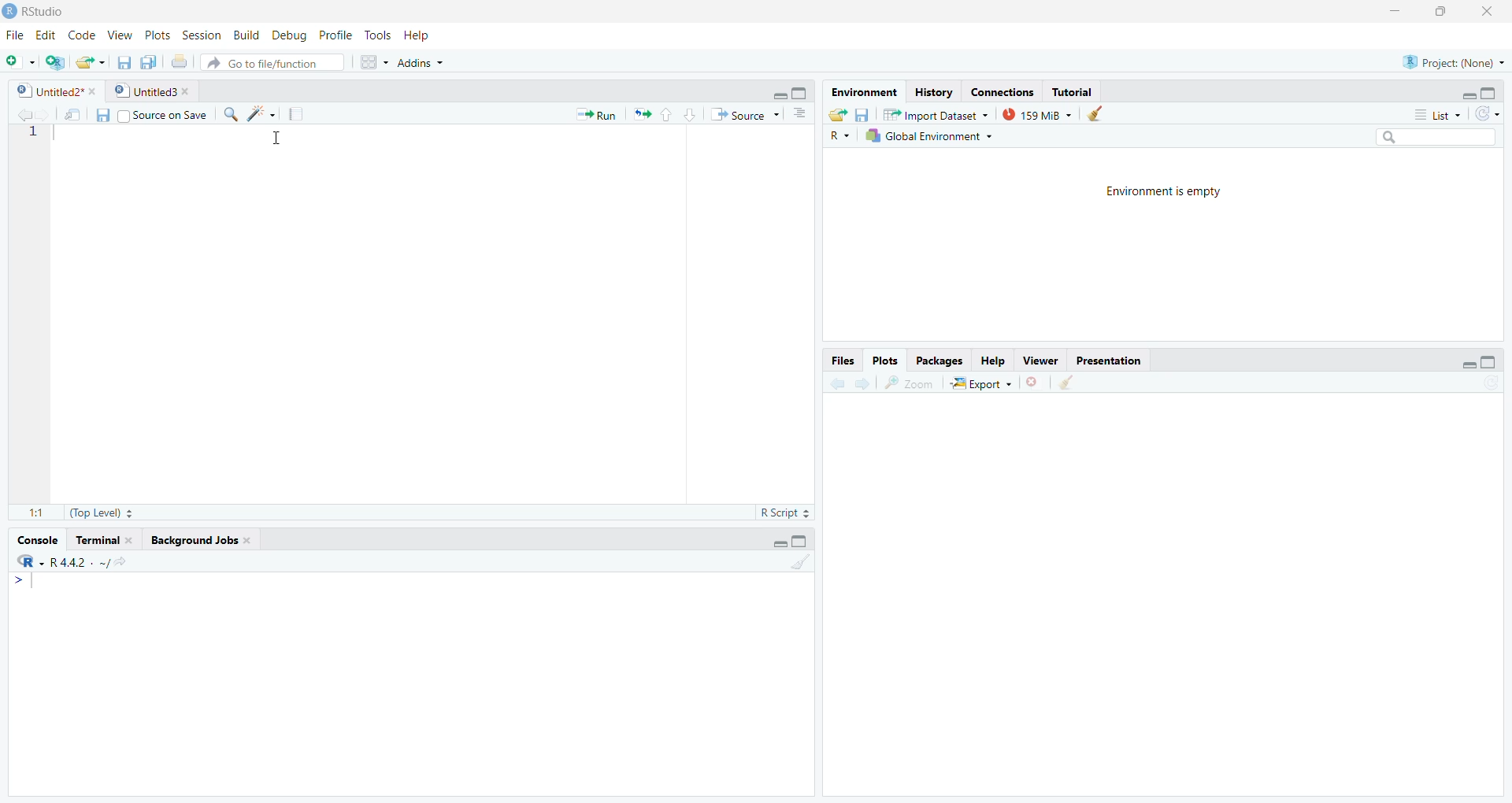  I want to click on Zoom, so click(909, 383).